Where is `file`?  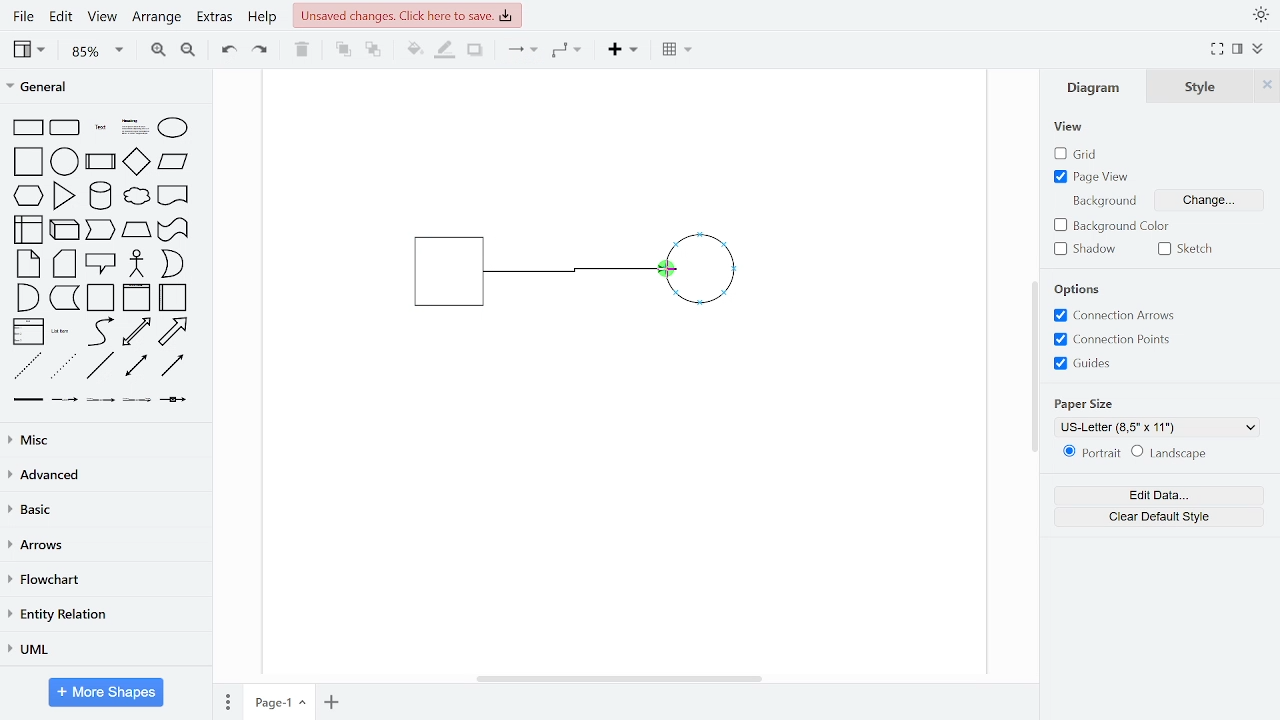
file is located at coordinates (26, 16).